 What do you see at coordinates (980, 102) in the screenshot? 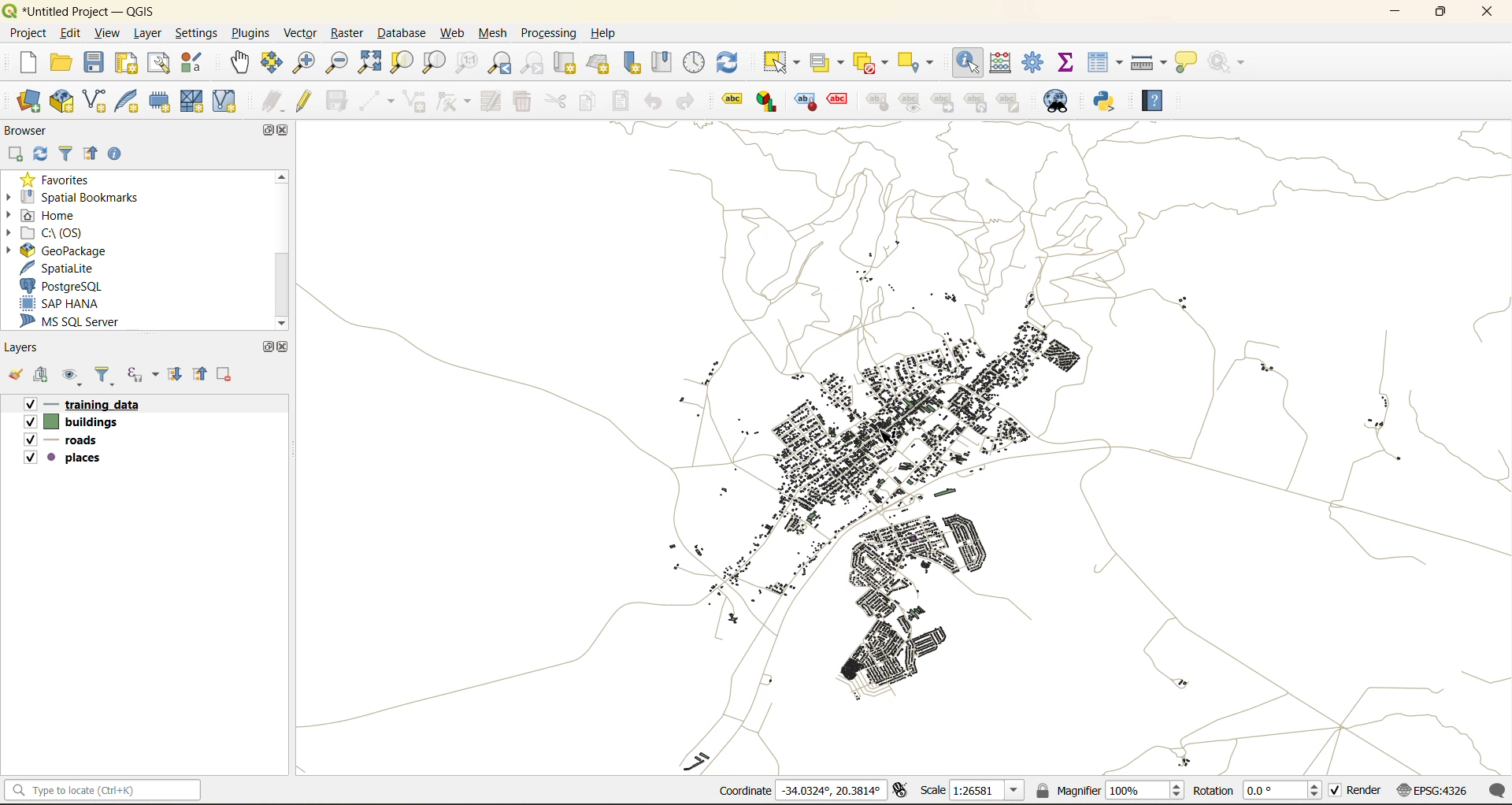
I see `hierarchy` at bounding box center [980, 102].